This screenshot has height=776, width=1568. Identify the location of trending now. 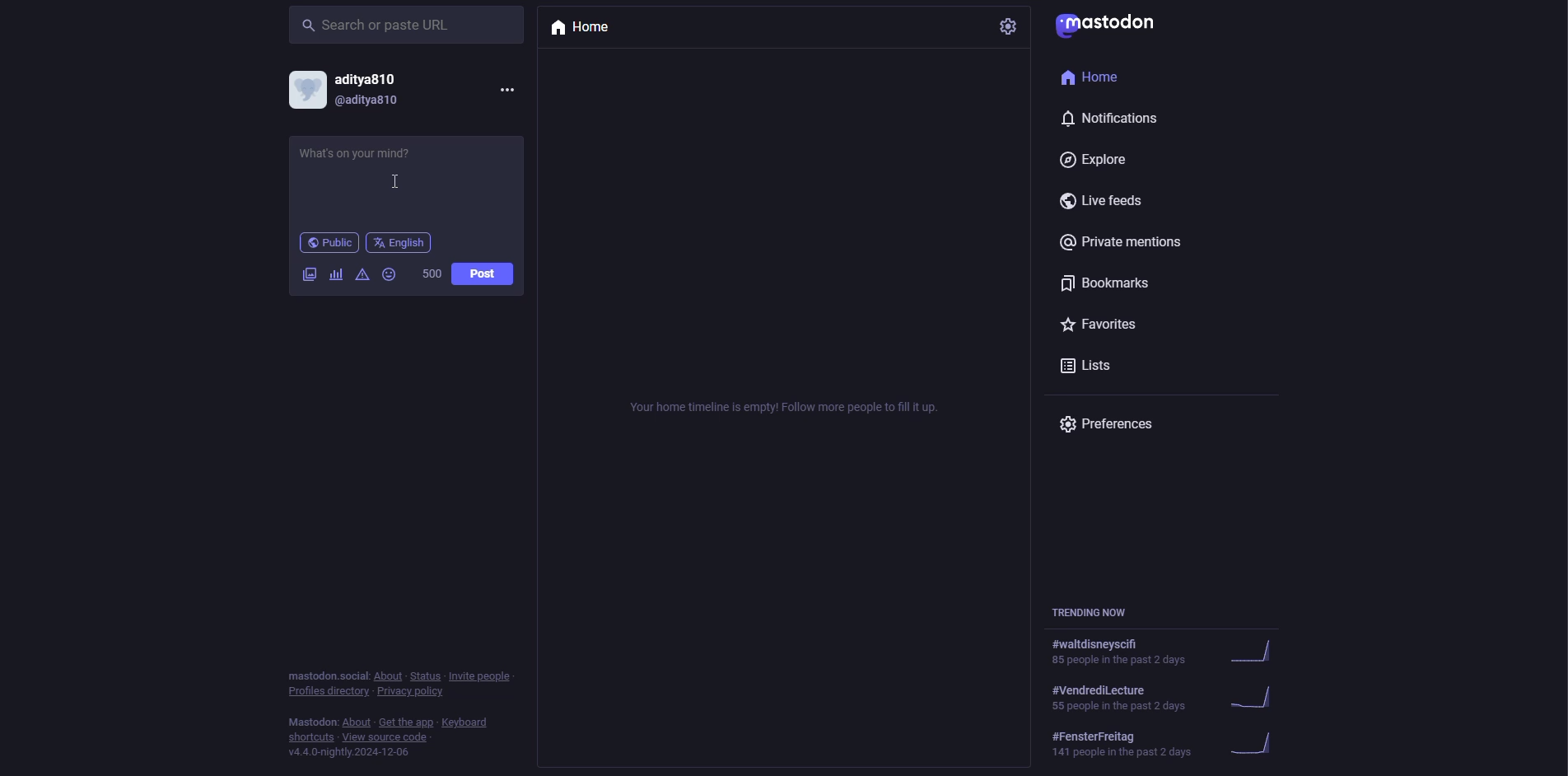
(1095, 610).